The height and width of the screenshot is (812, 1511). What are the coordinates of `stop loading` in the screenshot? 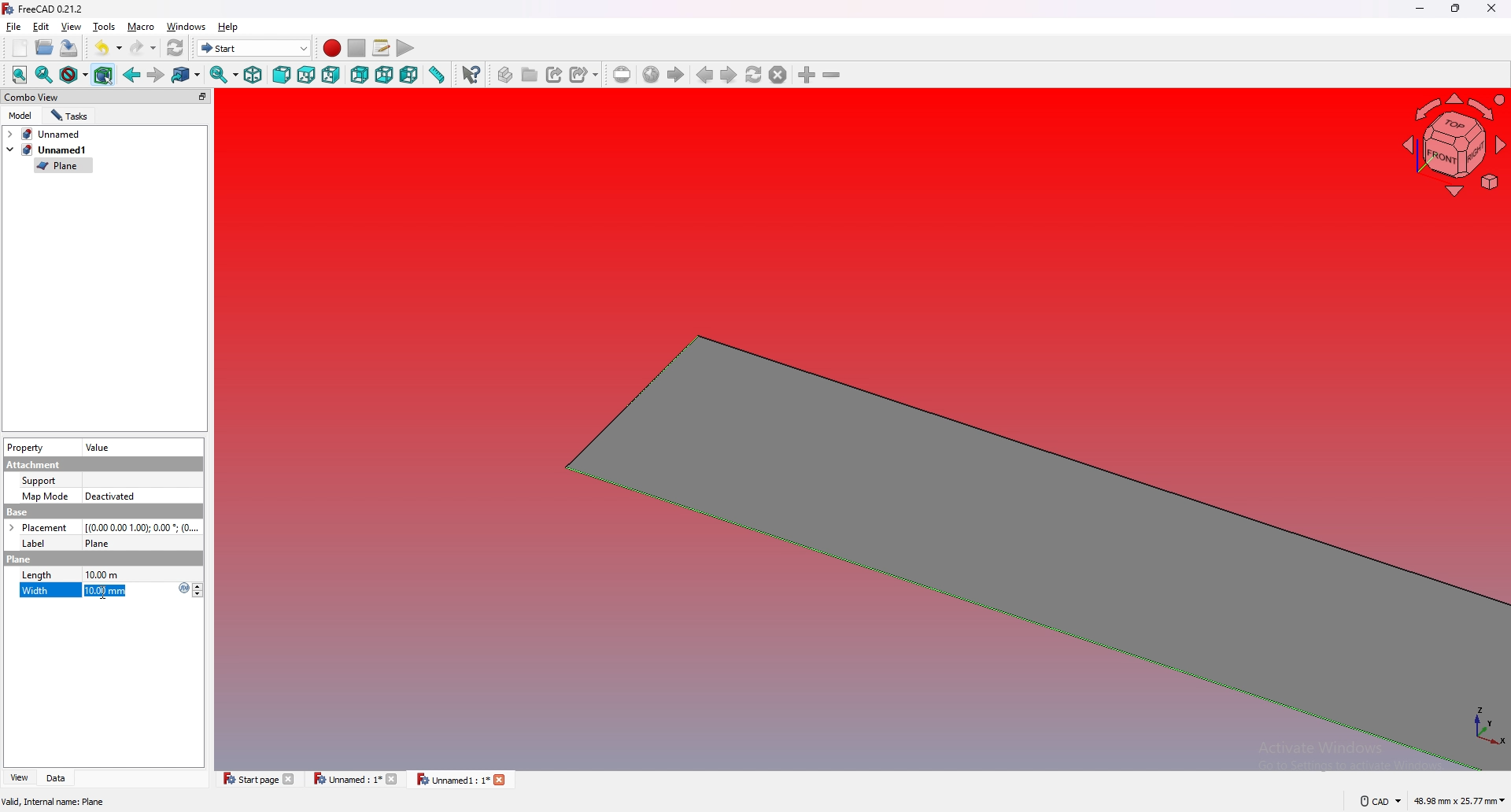 It's located at (778, 75).